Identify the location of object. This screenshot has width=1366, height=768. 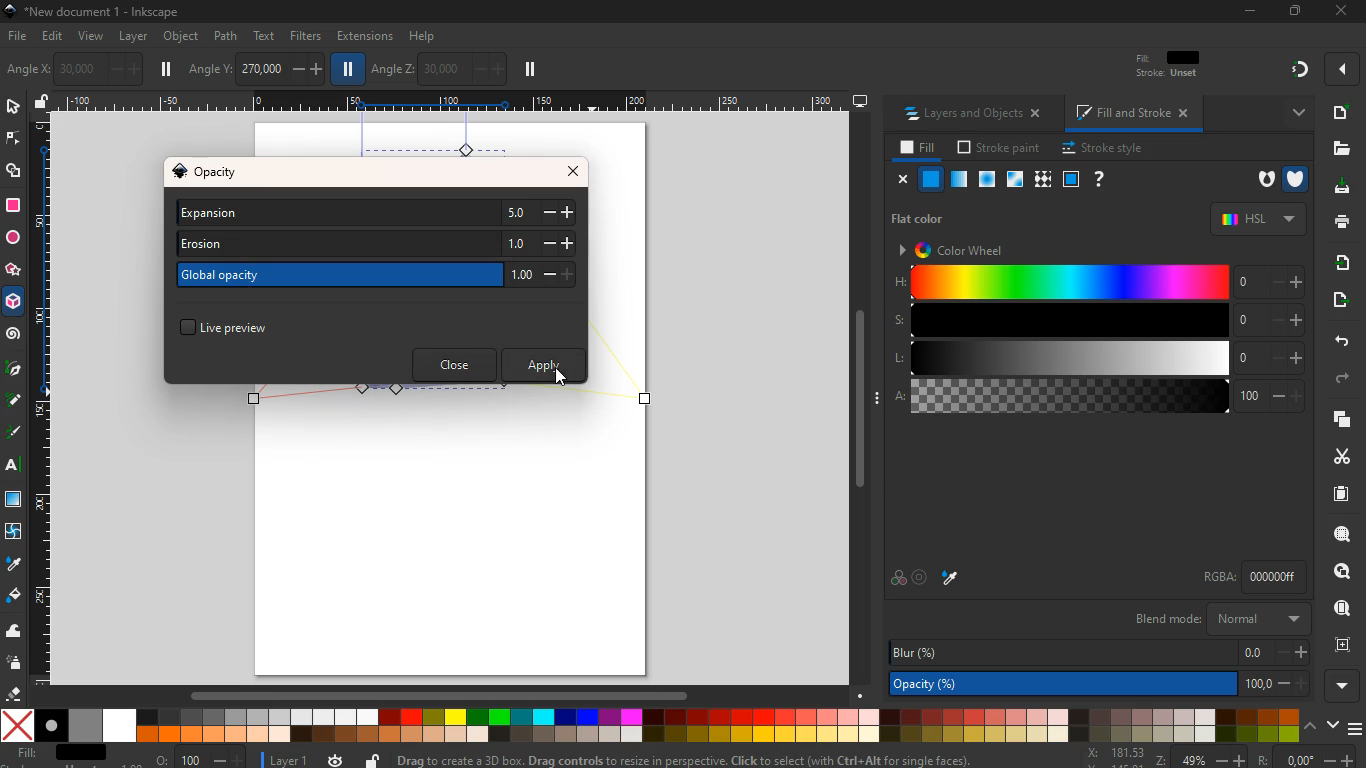
(181, 36).